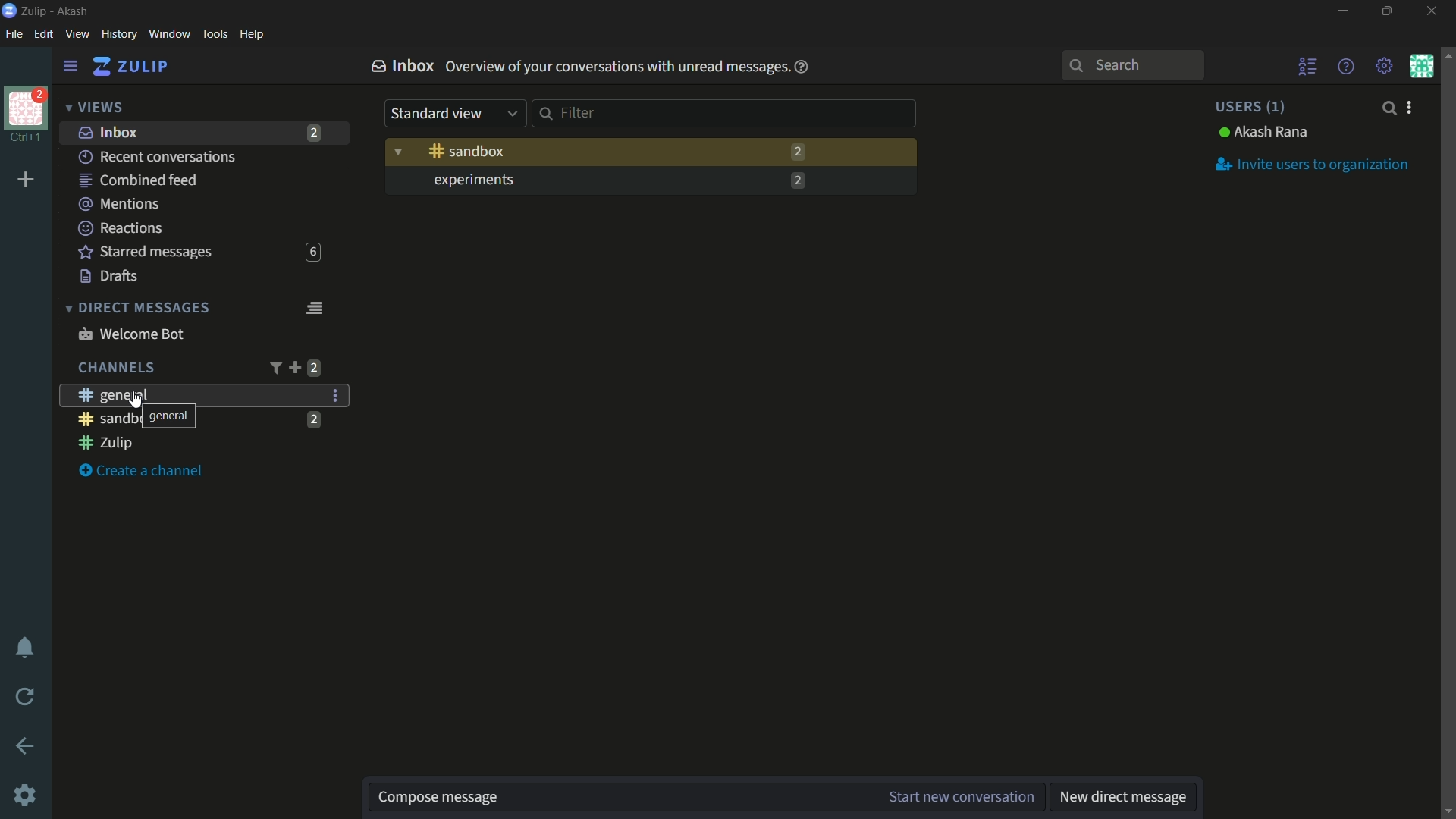 The width and height of the screenshot is (1456, 819). What do you see at coordinates (1385, 66) in the screenshot?
I see `main menu` at bounding box center [1385, 66].